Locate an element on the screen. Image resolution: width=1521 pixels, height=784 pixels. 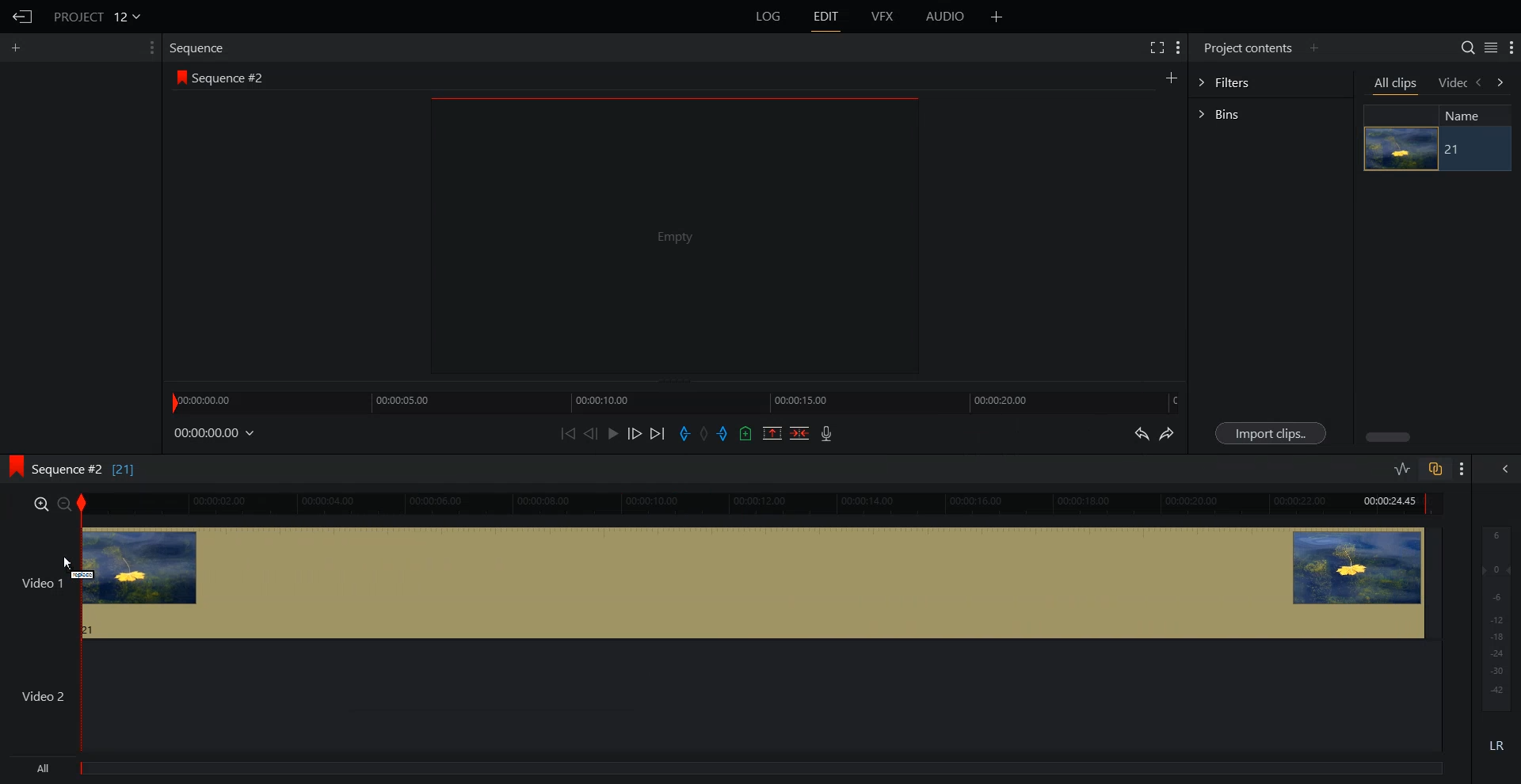
Add Cue in the current video is located at coordinates (746, 432).